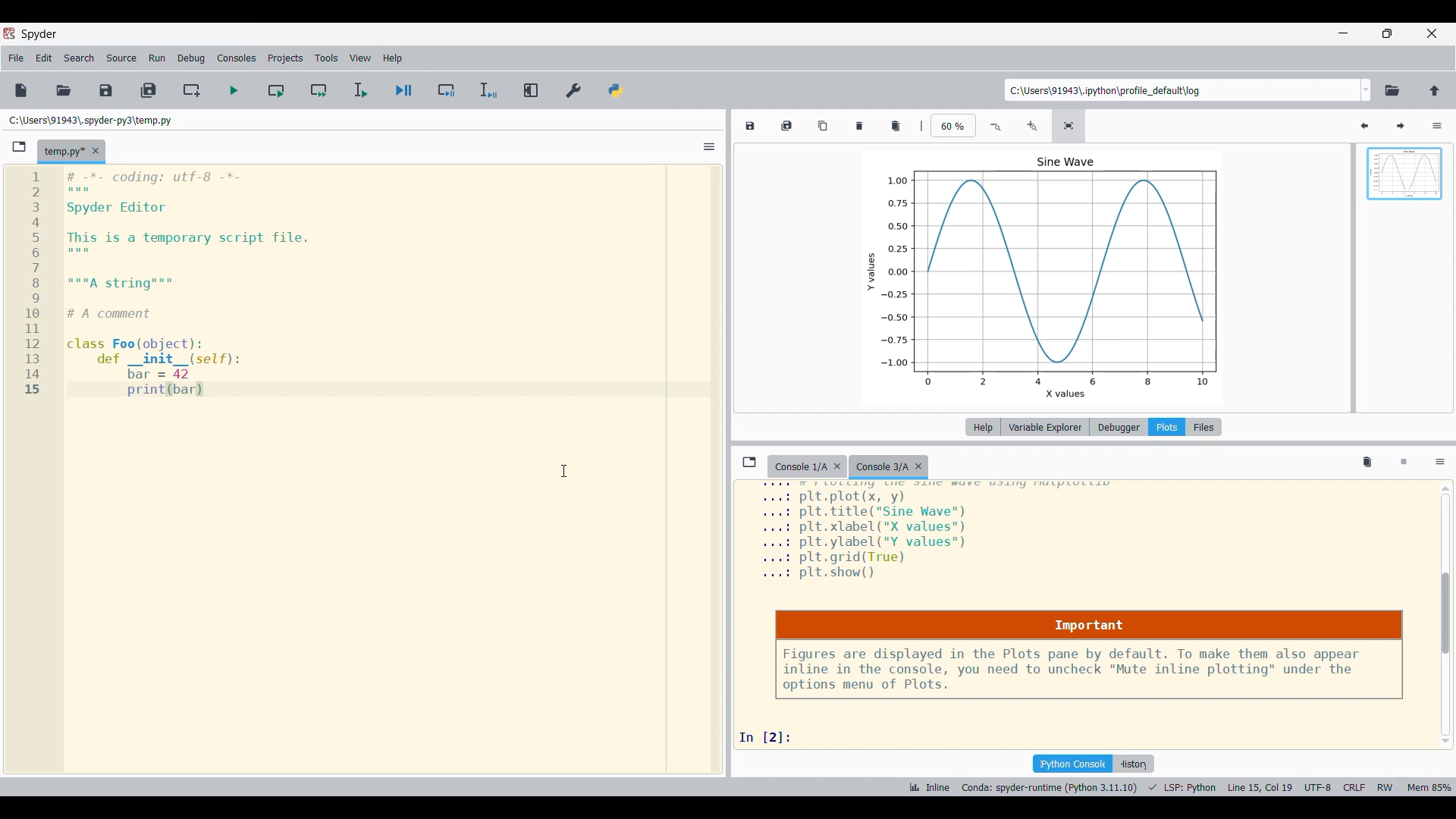 The width and height of the screenshot is (1456, 819). I want to click on Run selection/current file, so click(361, 90).